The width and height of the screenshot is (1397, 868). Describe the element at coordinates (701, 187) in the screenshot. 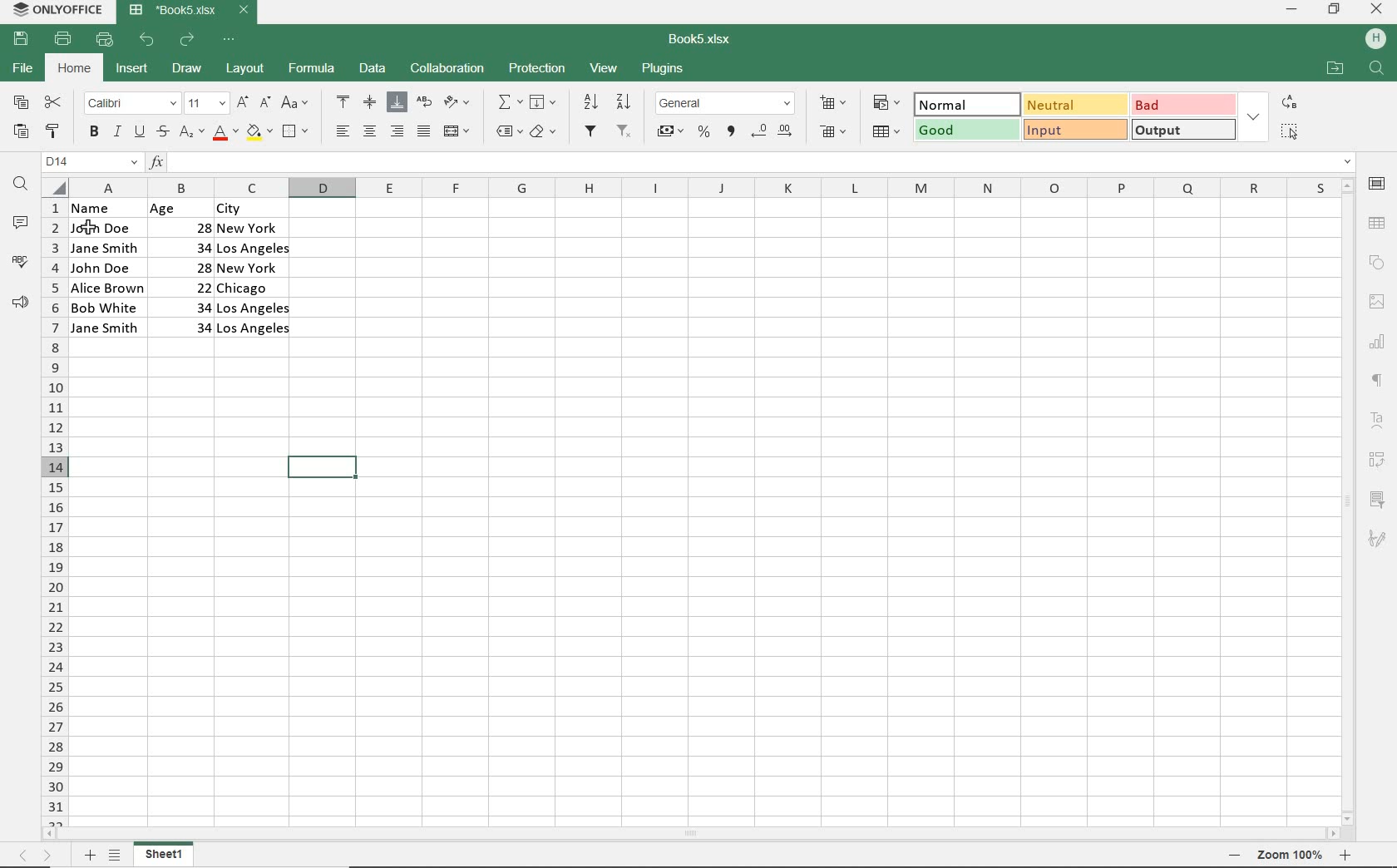

I see `COLUMNS` at that location.